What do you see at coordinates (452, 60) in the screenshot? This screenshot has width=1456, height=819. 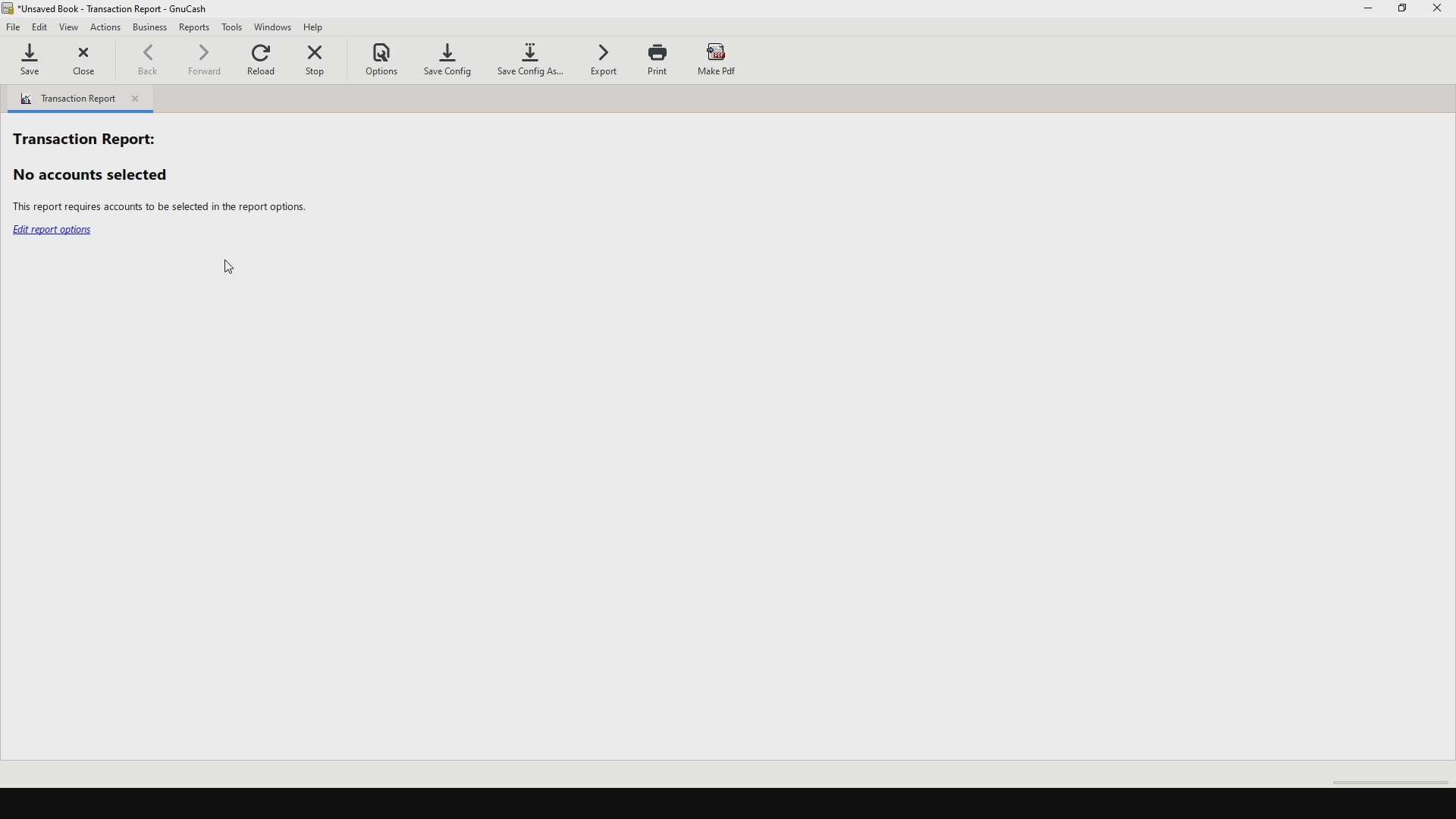 I see `save config` at bounding box center [452, 60].